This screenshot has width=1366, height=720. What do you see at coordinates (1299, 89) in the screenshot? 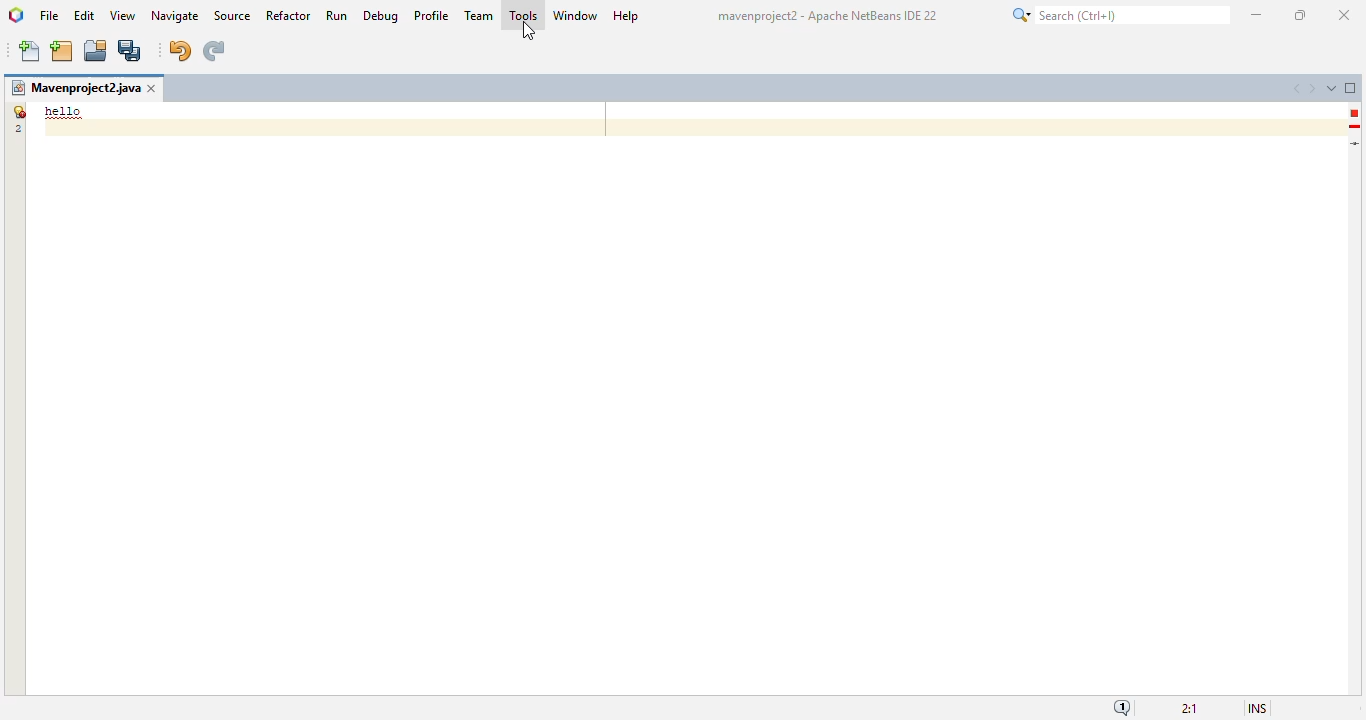
I see `scroll documents left` at bounding box center [1299, 89].